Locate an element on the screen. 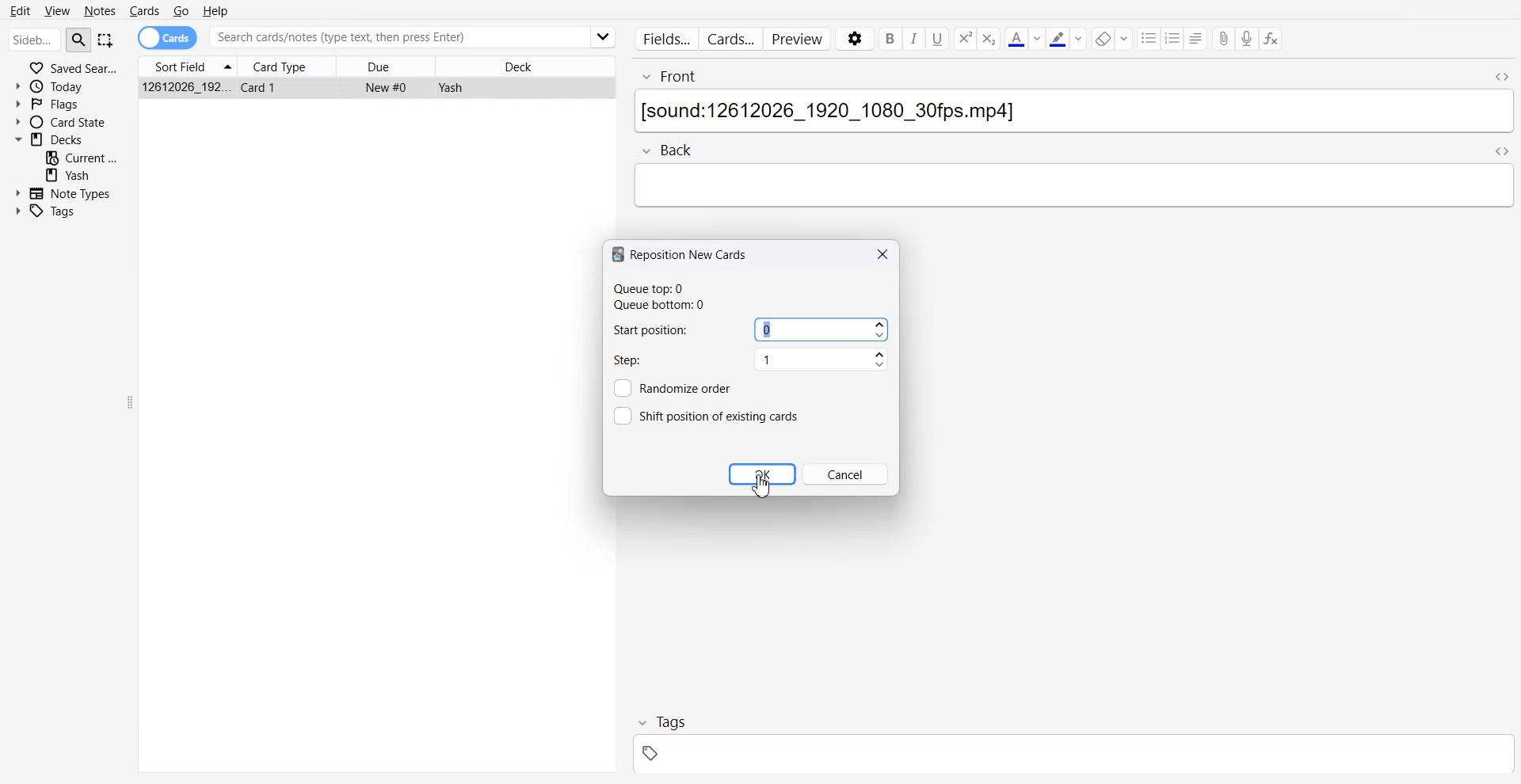  Toggle HTML Editor is located at coordinates (1500, 150).